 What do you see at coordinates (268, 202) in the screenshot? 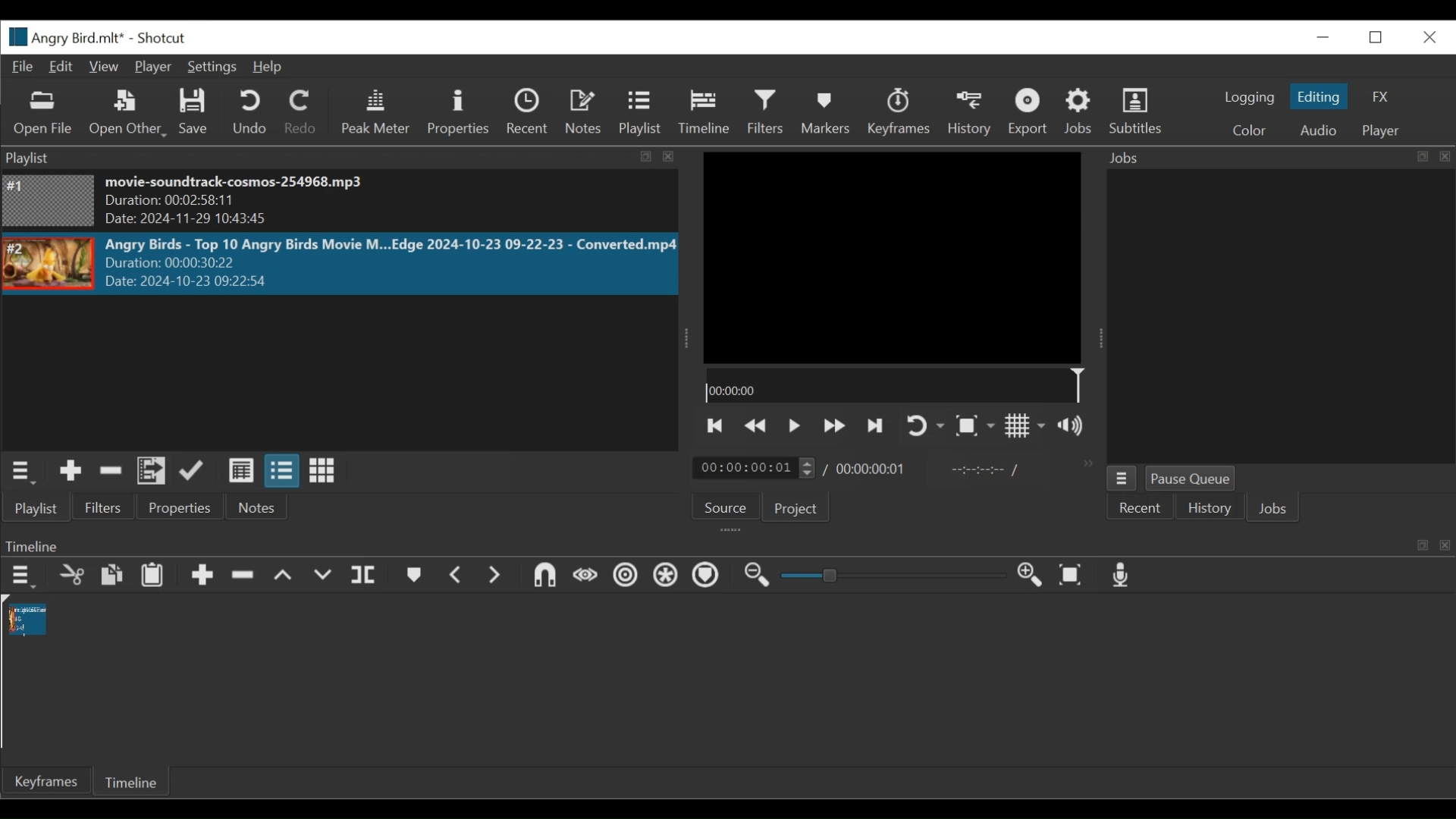
I see `movie-soundtrack-cosmos-254968.mp3
Duration: 00:02:58:11
Date: 2024-11-29 10:43:45` at bounding box center [268, 202].